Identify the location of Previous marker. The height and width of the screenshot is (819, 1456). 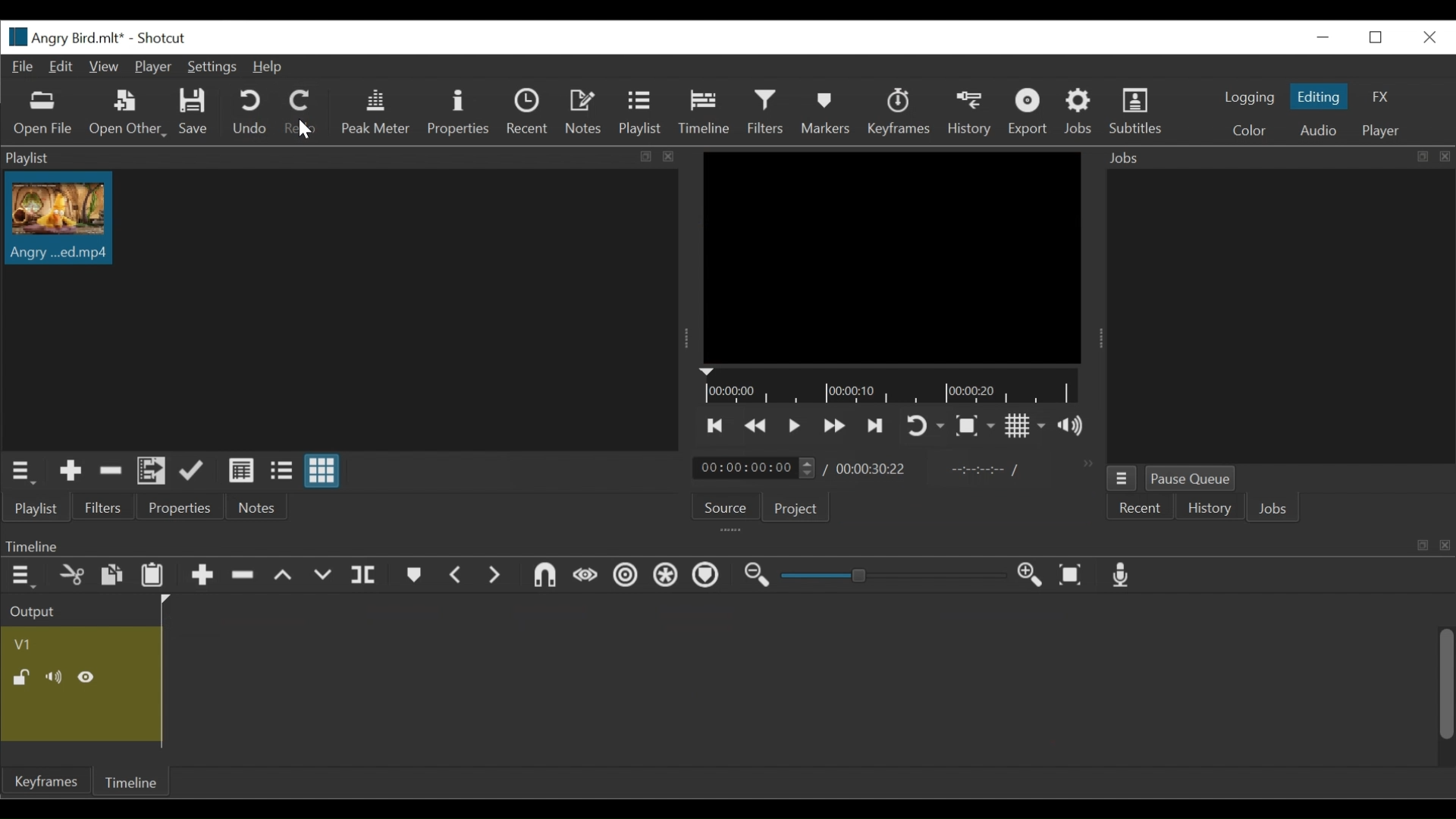
(457, 576).